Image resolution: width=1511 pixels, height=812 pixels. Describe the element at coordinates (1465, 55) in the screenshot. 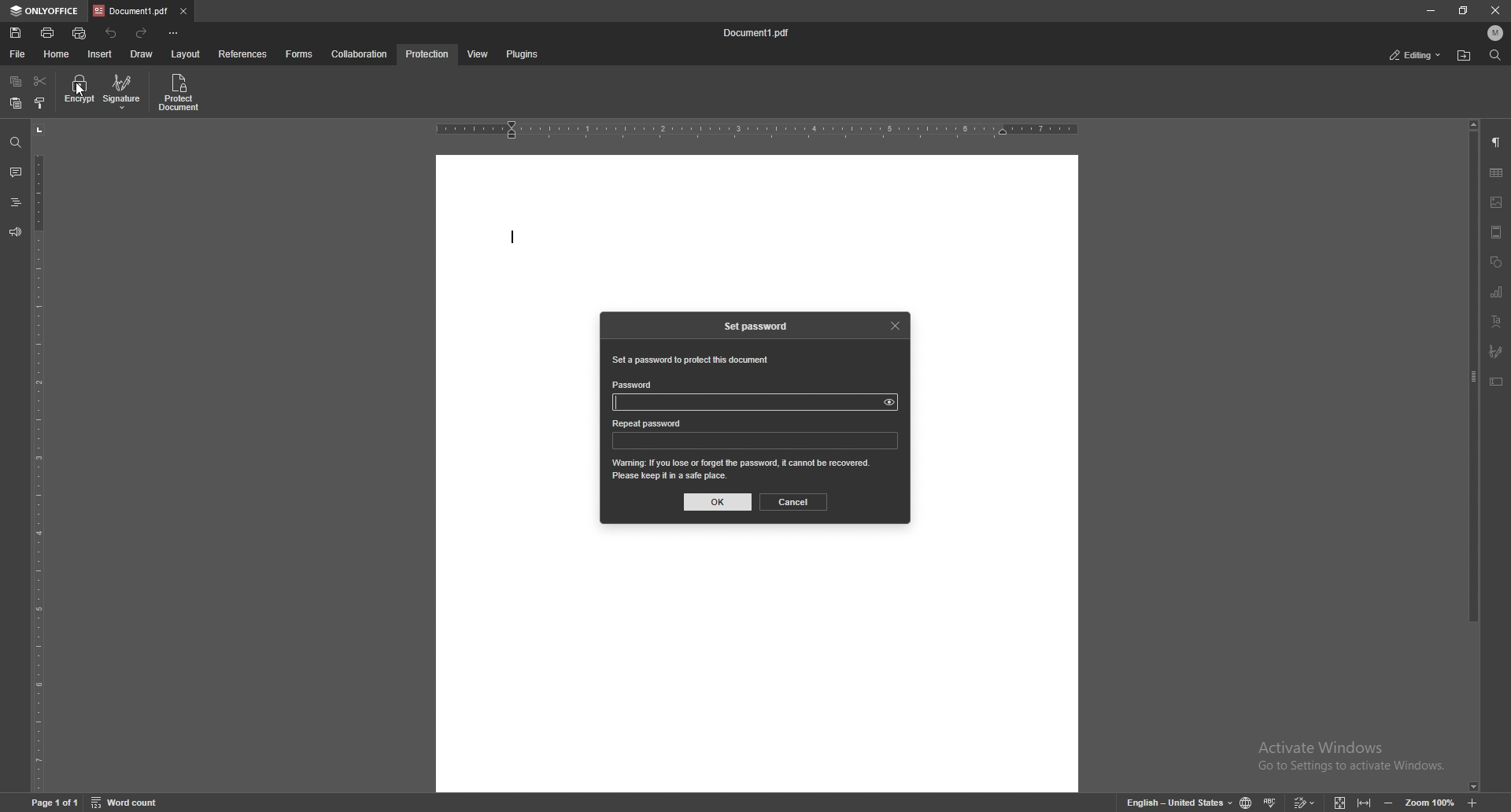

I see `locate file` at that location.